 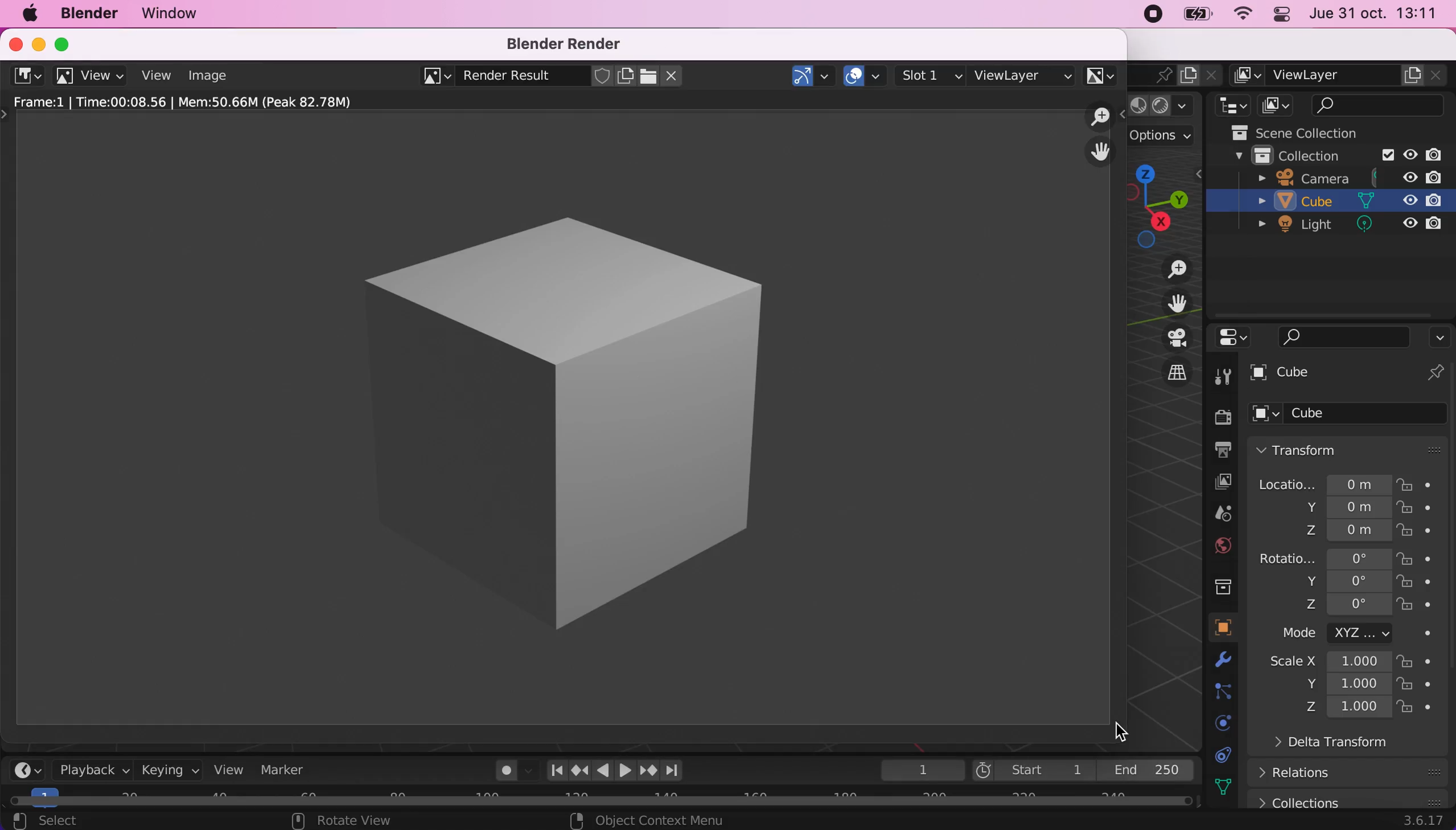 I want to click on view, so click(x=234, y=771).